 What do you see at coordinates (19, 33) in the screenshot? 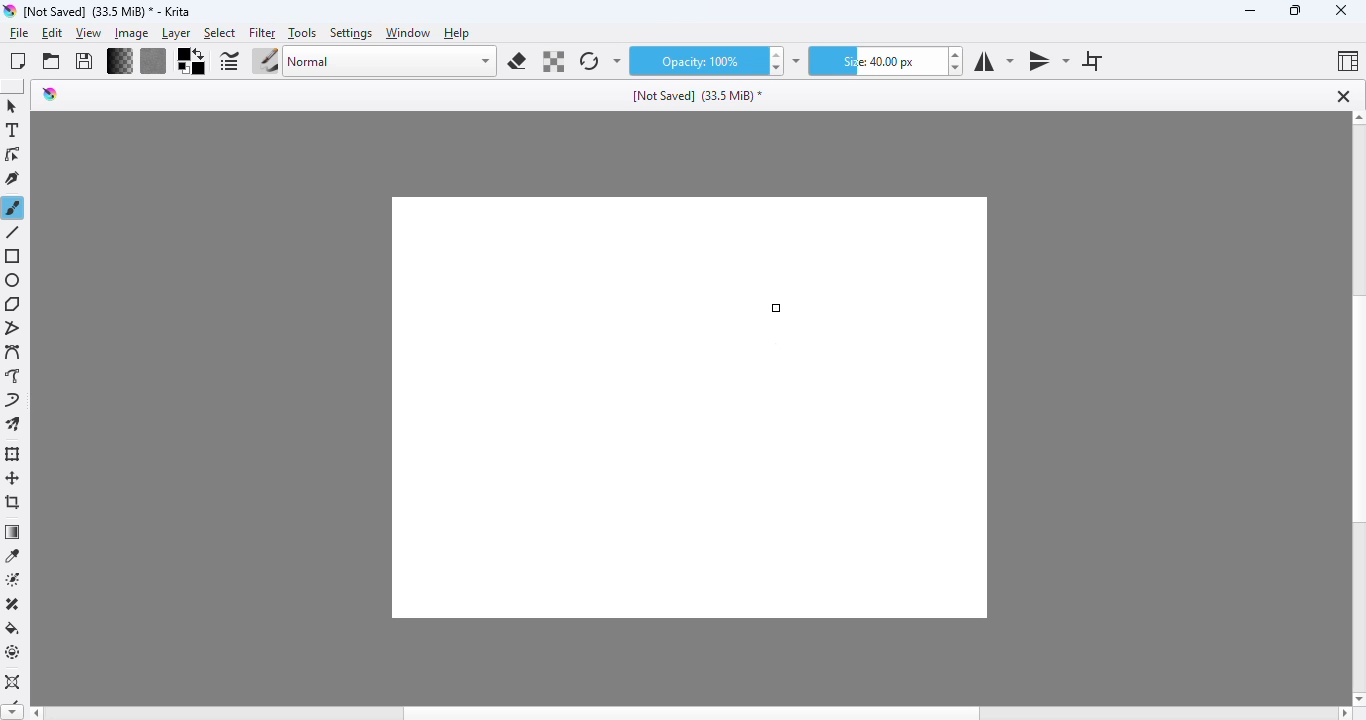
I see `file` at bounding box center [19, 33].